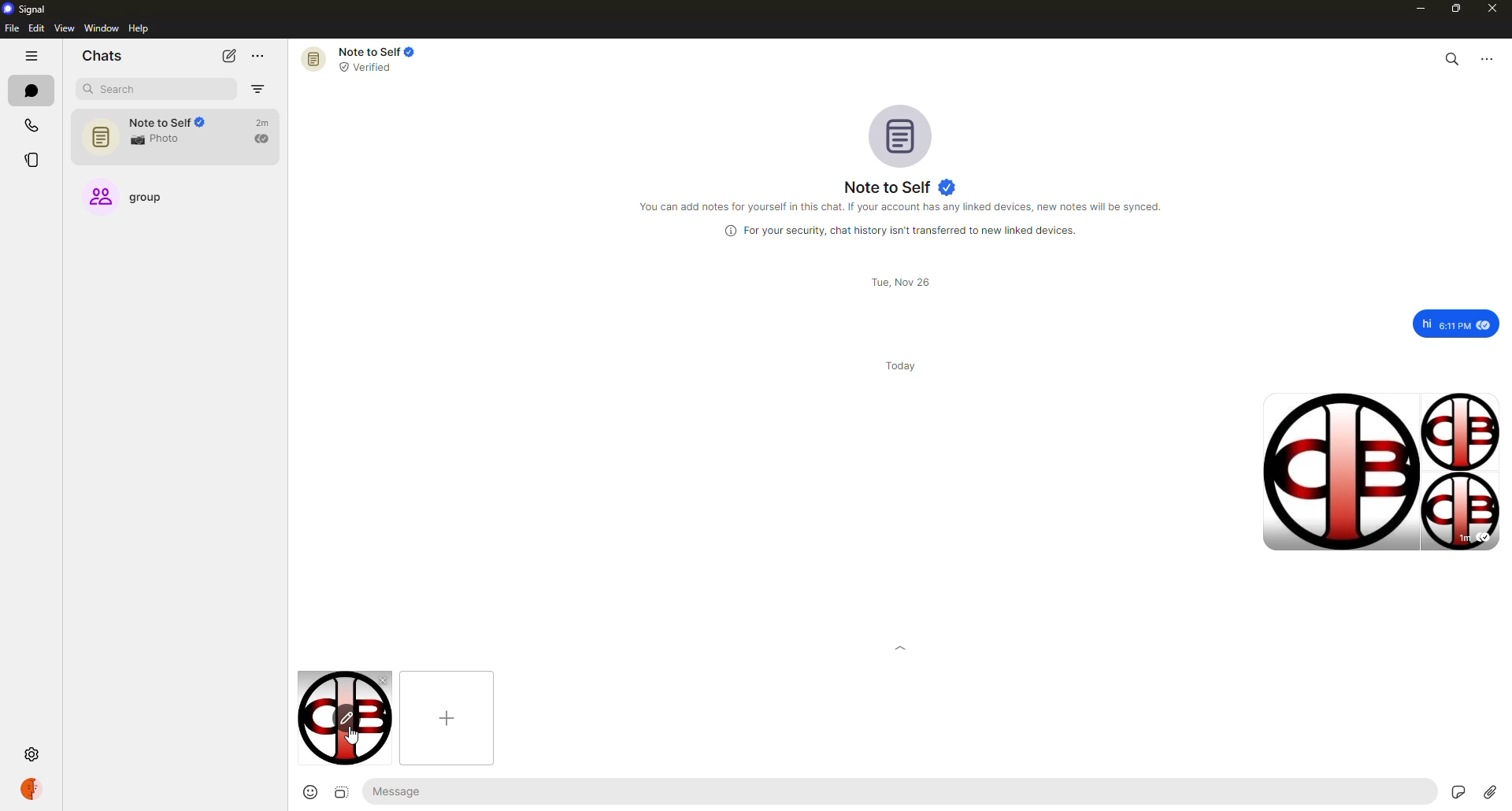  I want to click on view, so click(65, 29).